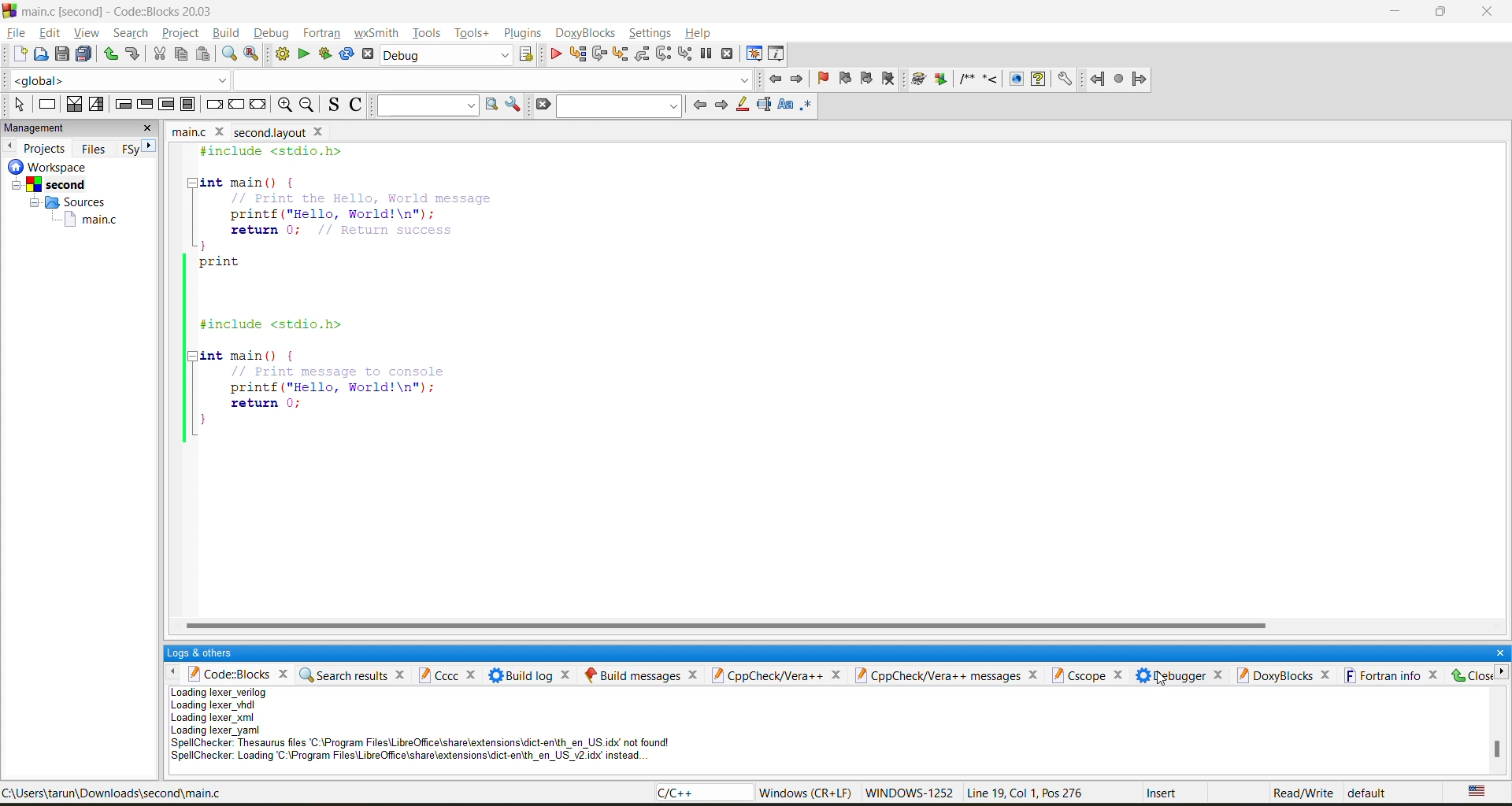  Describe the element at coordinates (306, 106) in the screenshot. I see `zoom out` at that location.